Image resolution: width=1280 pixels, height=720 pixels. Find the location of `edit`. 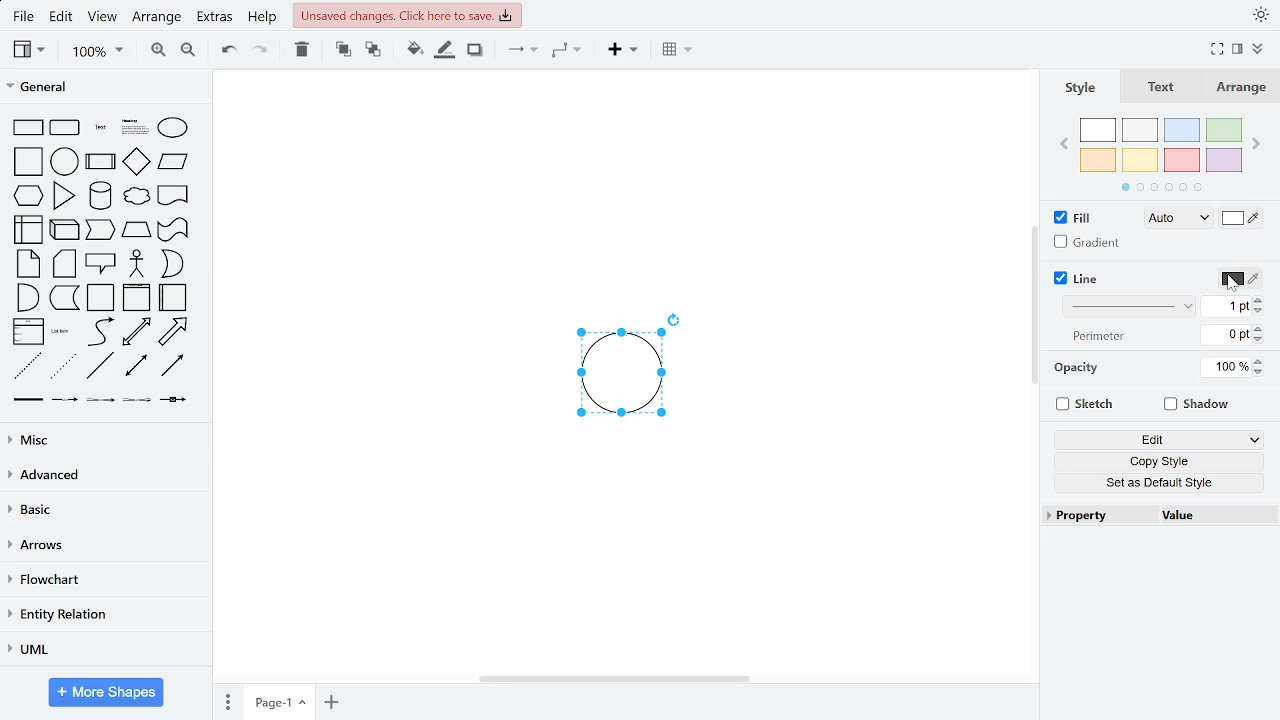

edit is located at coordinates (62, 19).